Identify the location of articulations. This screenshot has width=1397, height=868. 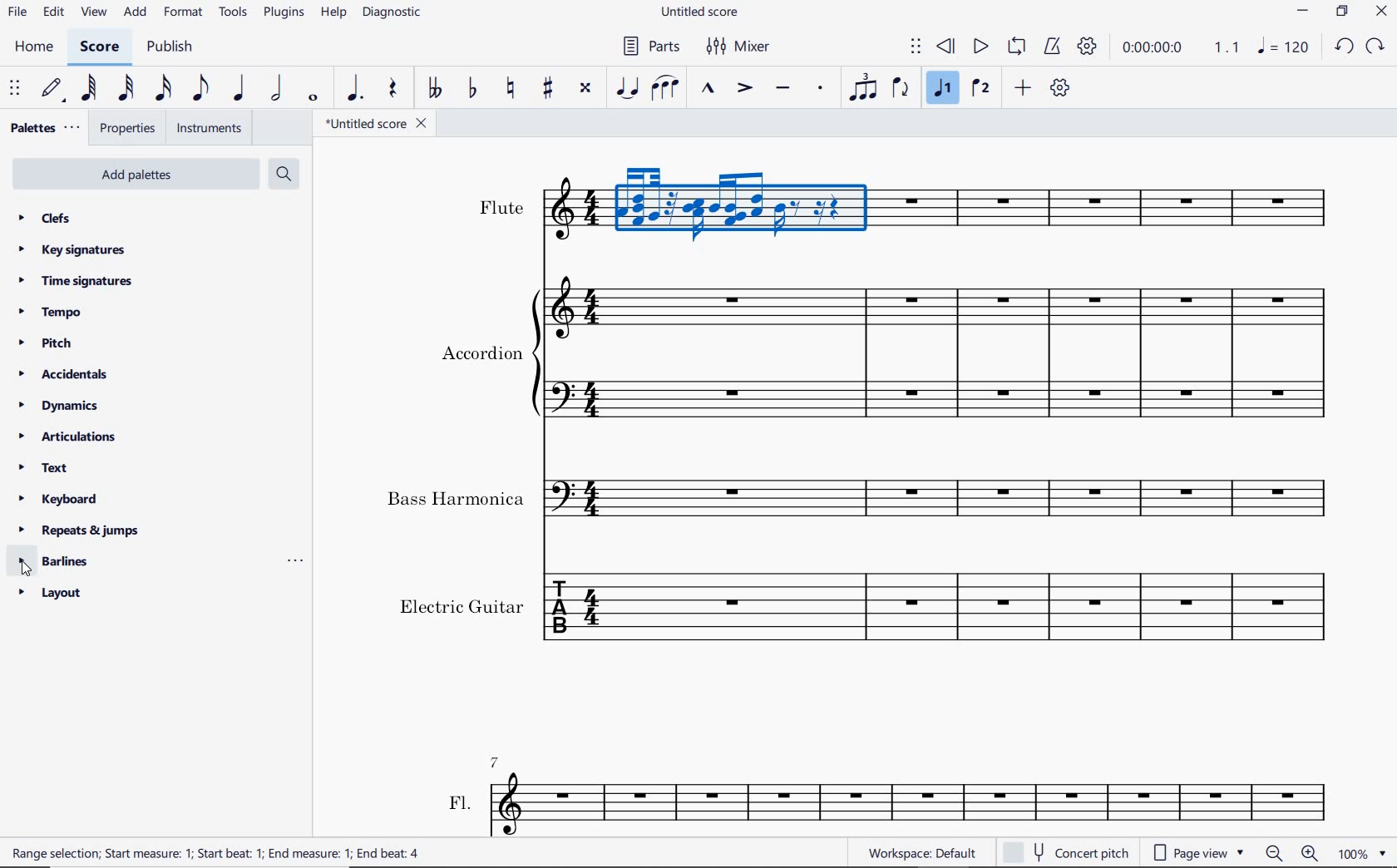
(68, 437).